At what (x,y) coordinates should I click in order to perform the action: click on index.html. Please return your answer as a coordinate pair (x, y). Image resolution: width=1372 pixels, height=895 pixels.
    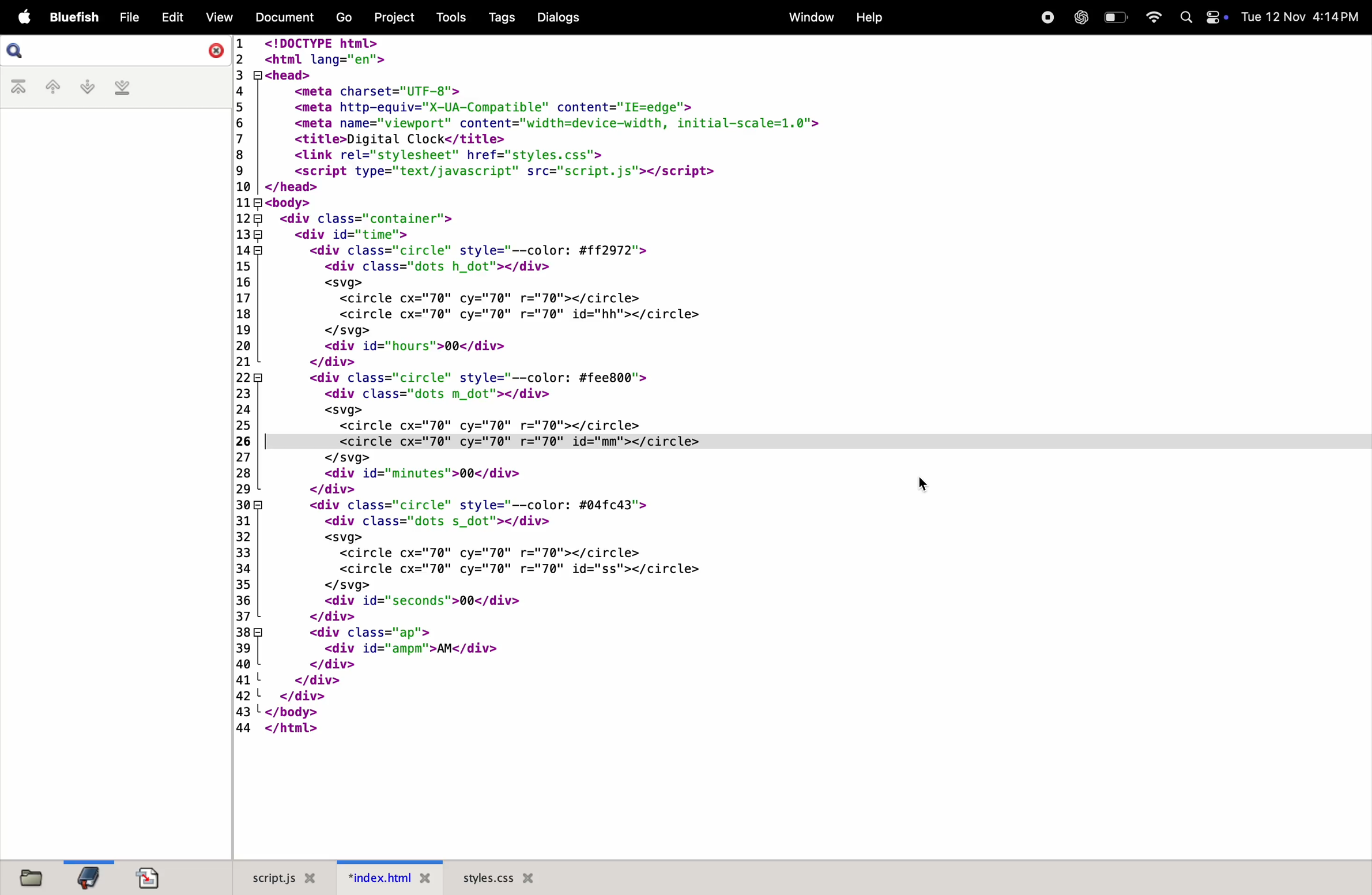
    Looking at the image, I should click on (392, 878).